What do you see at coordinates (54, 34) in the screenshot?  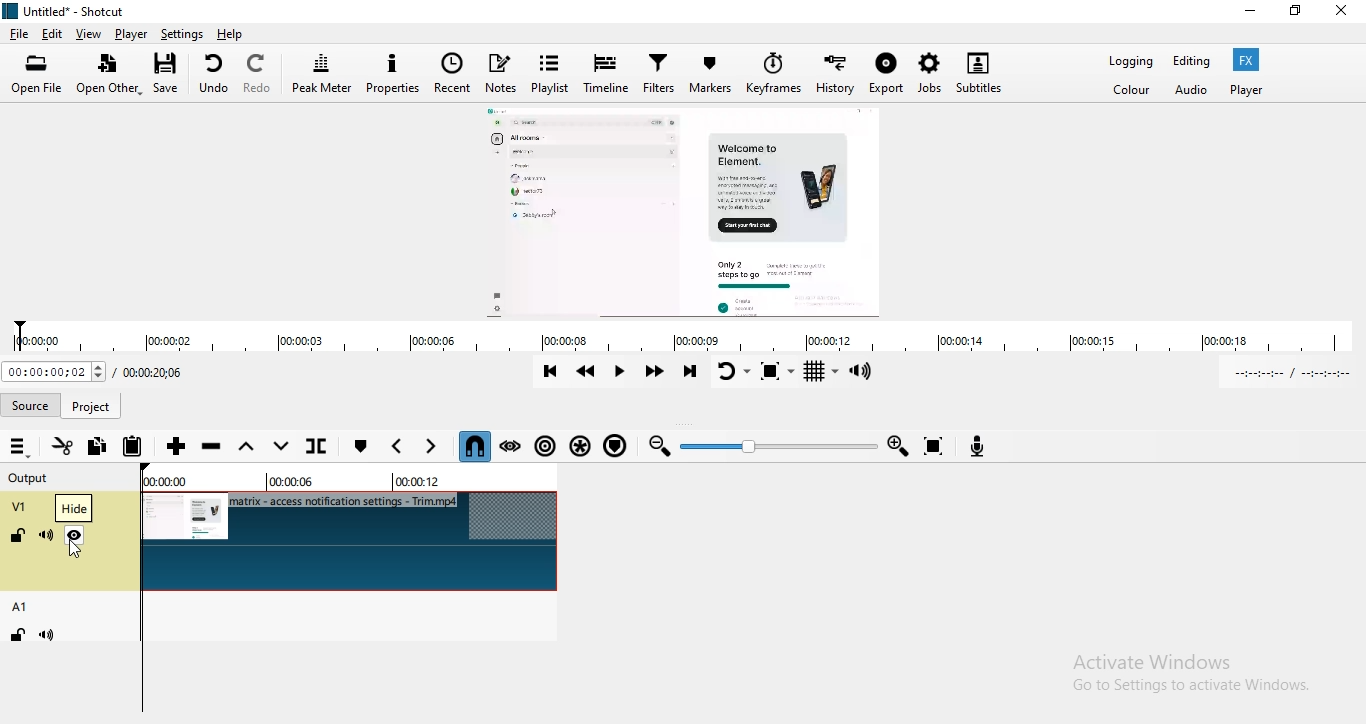 I see `Edit` at bounding box center [54, 34].